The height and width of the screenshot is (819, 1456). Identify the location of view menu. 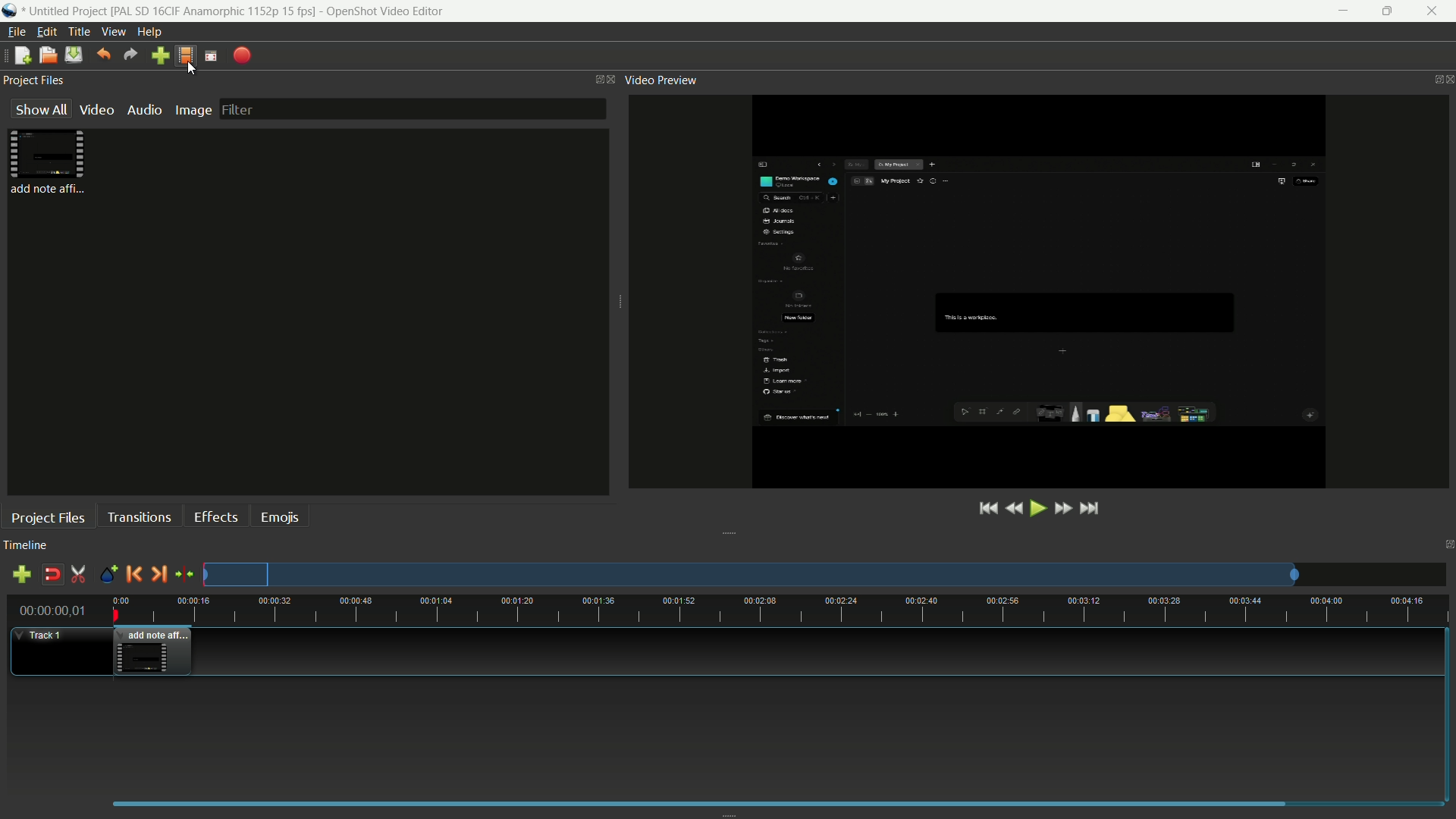
(111, 32).